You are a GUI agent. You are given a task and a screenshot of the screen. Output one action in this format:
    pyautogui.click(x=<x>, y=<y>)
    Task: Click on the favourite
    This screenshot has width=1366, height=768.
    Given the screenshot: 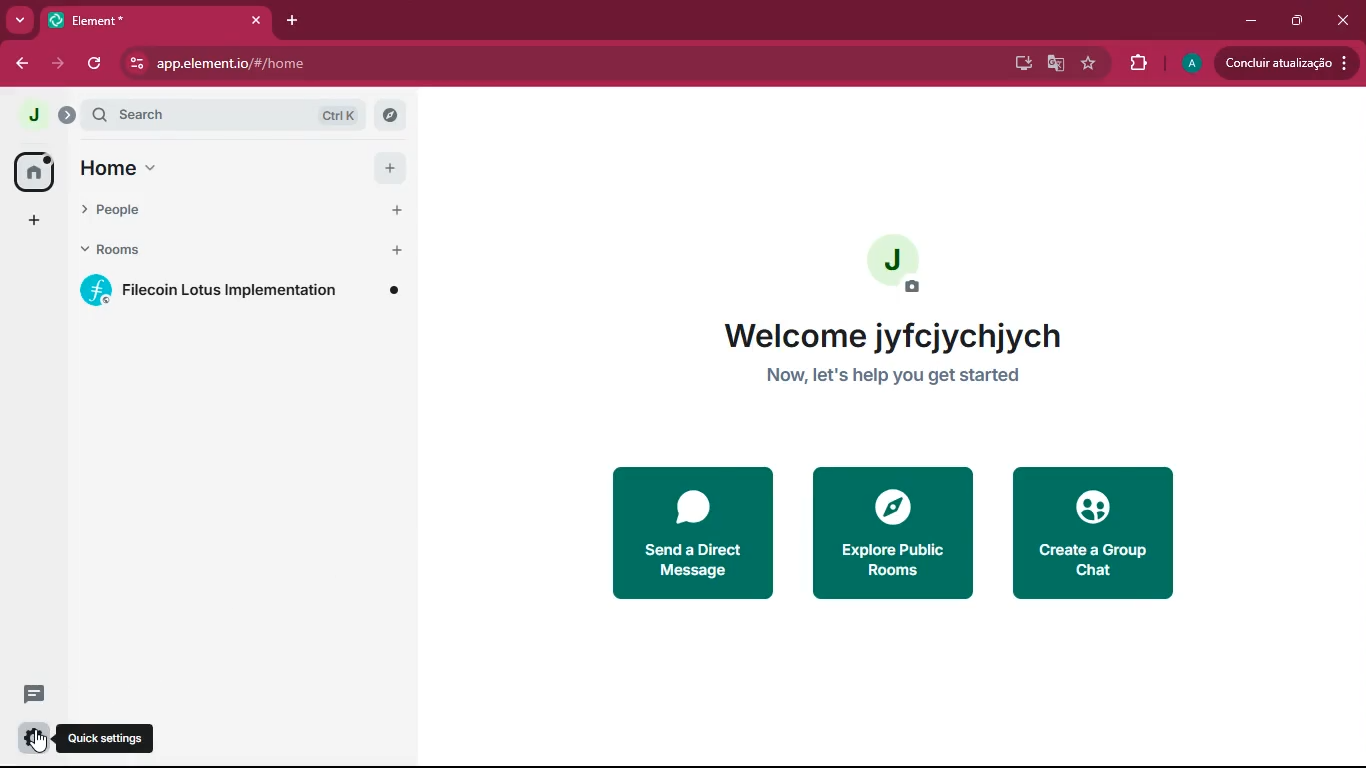 What is the action you would take?
    pyautogui.click(x=1091, y=61)
    